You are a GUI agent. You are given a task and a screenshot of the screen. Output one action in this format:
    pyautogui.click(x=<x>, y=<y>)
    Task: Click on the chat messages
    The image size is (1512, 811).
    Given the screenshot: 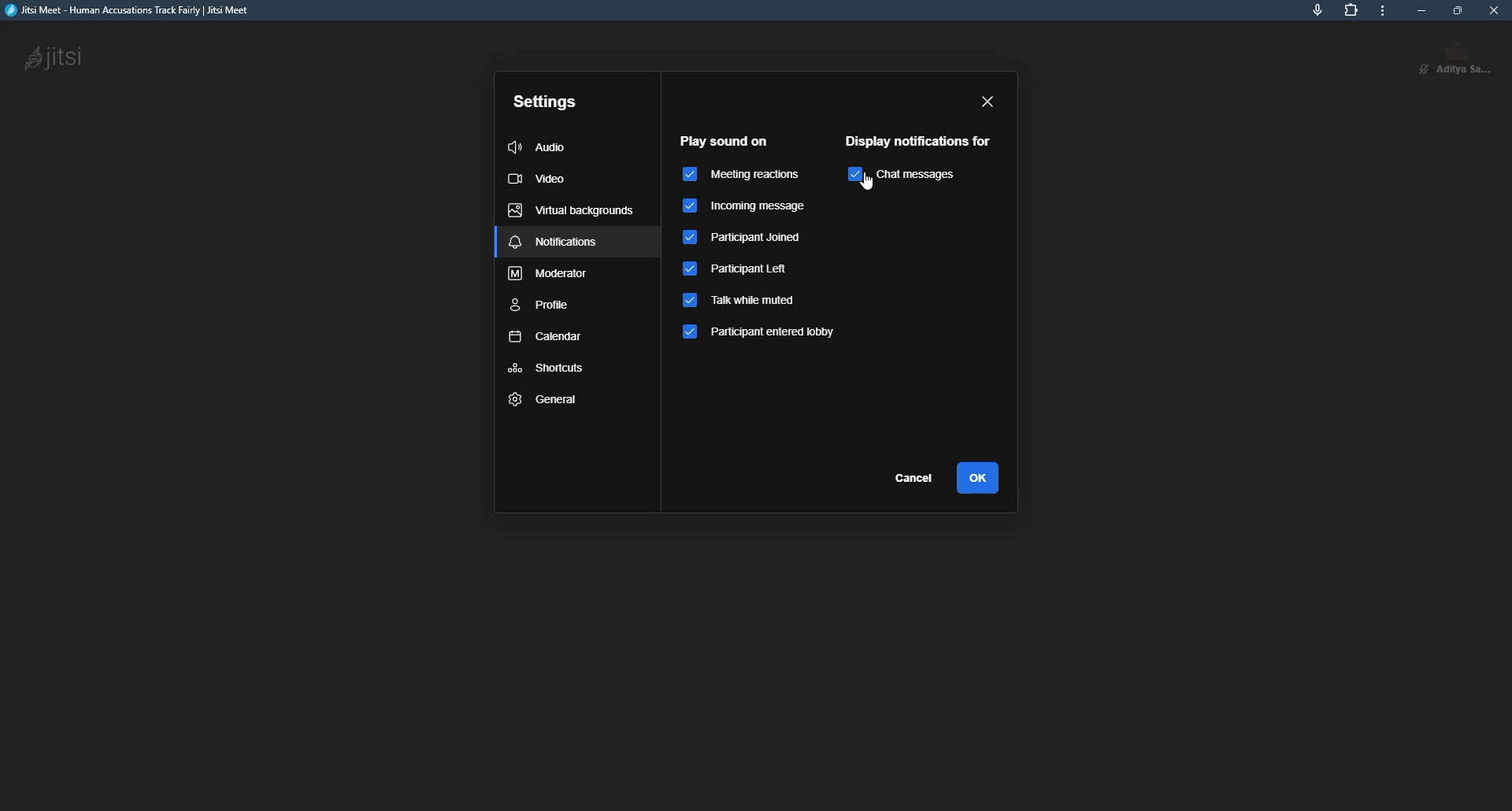 What is the action you would take?
    pyautogui.click(x=903, y=174)
    